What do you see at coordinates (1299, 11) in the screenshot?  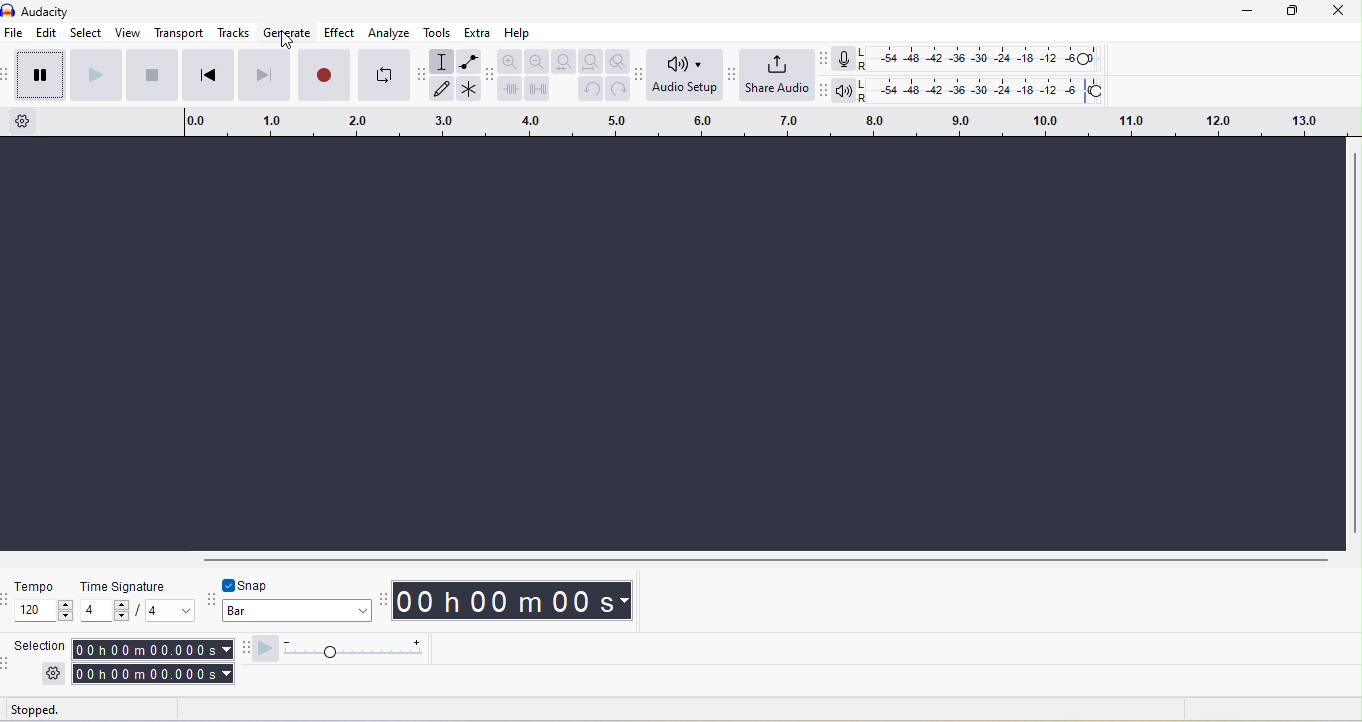 I see `maximize` at bounding box center [1299, 11].